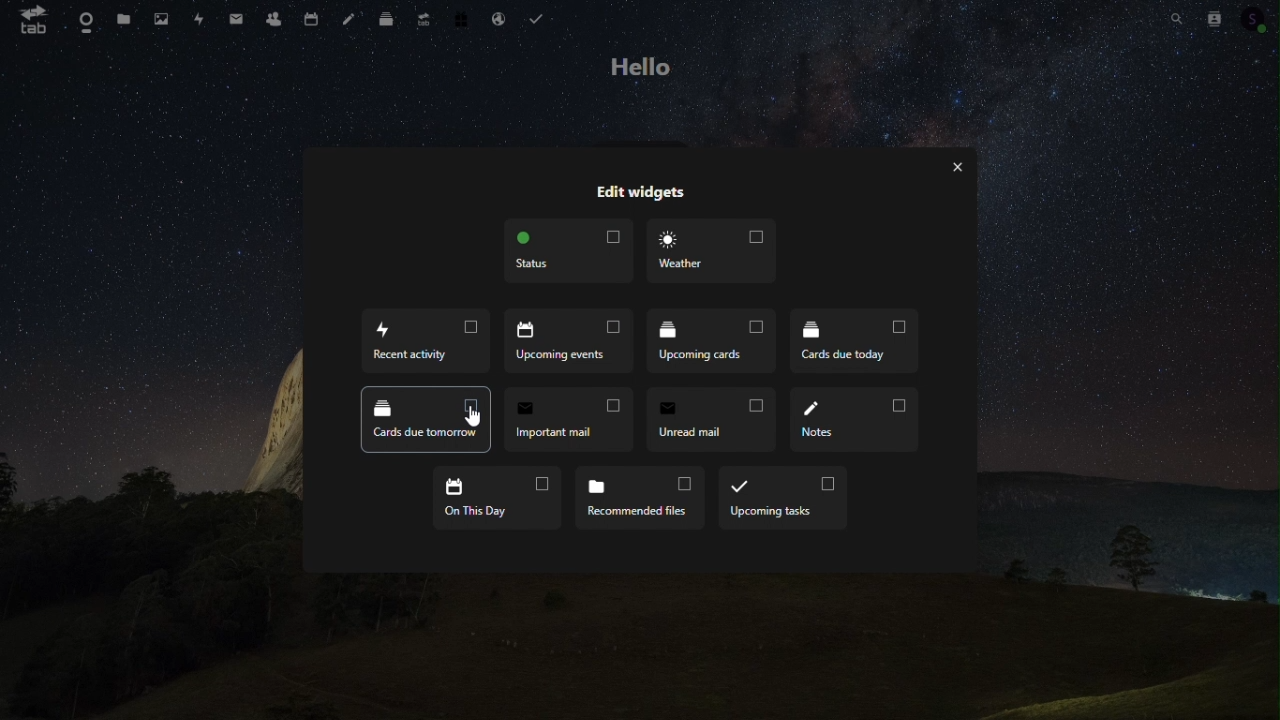 Image resolution: width=1280 pixels, height=720 pixels. What do you see at coordinates (123, 21) in the screenshot?
I see `Files` at bounding box center [123, 21].